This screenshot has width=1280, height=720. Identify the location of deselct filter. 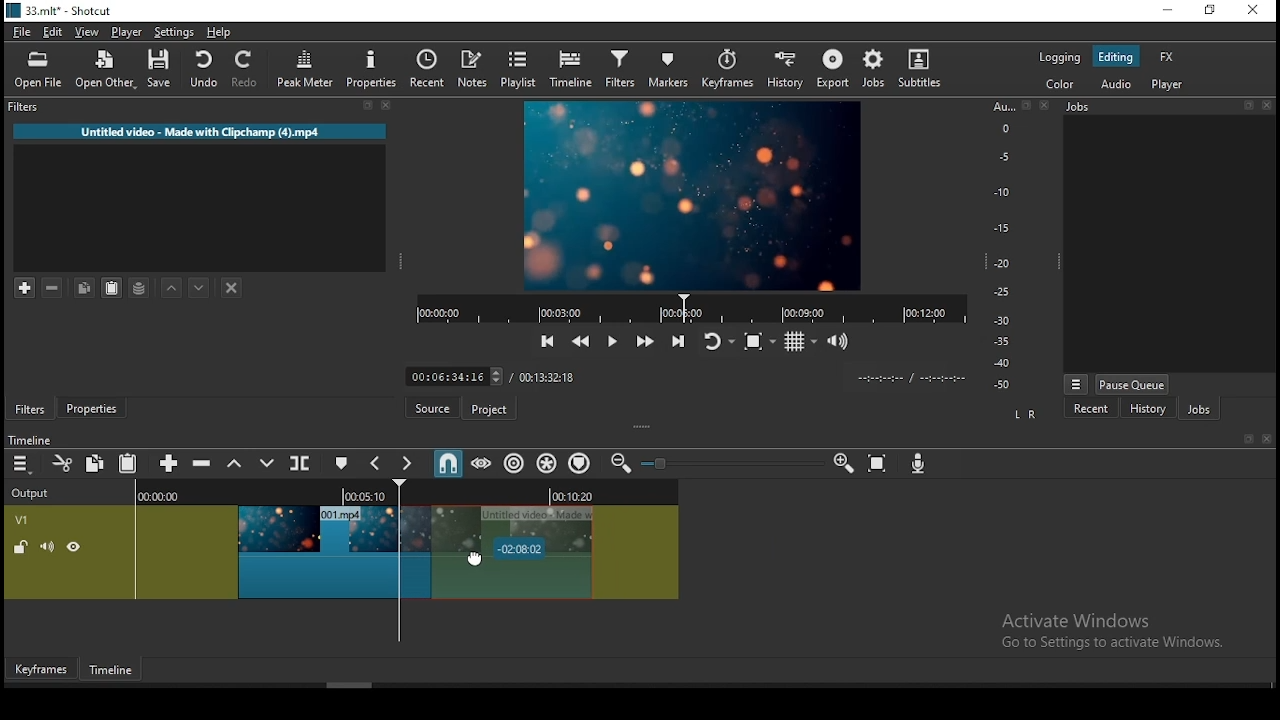
(233, 289).